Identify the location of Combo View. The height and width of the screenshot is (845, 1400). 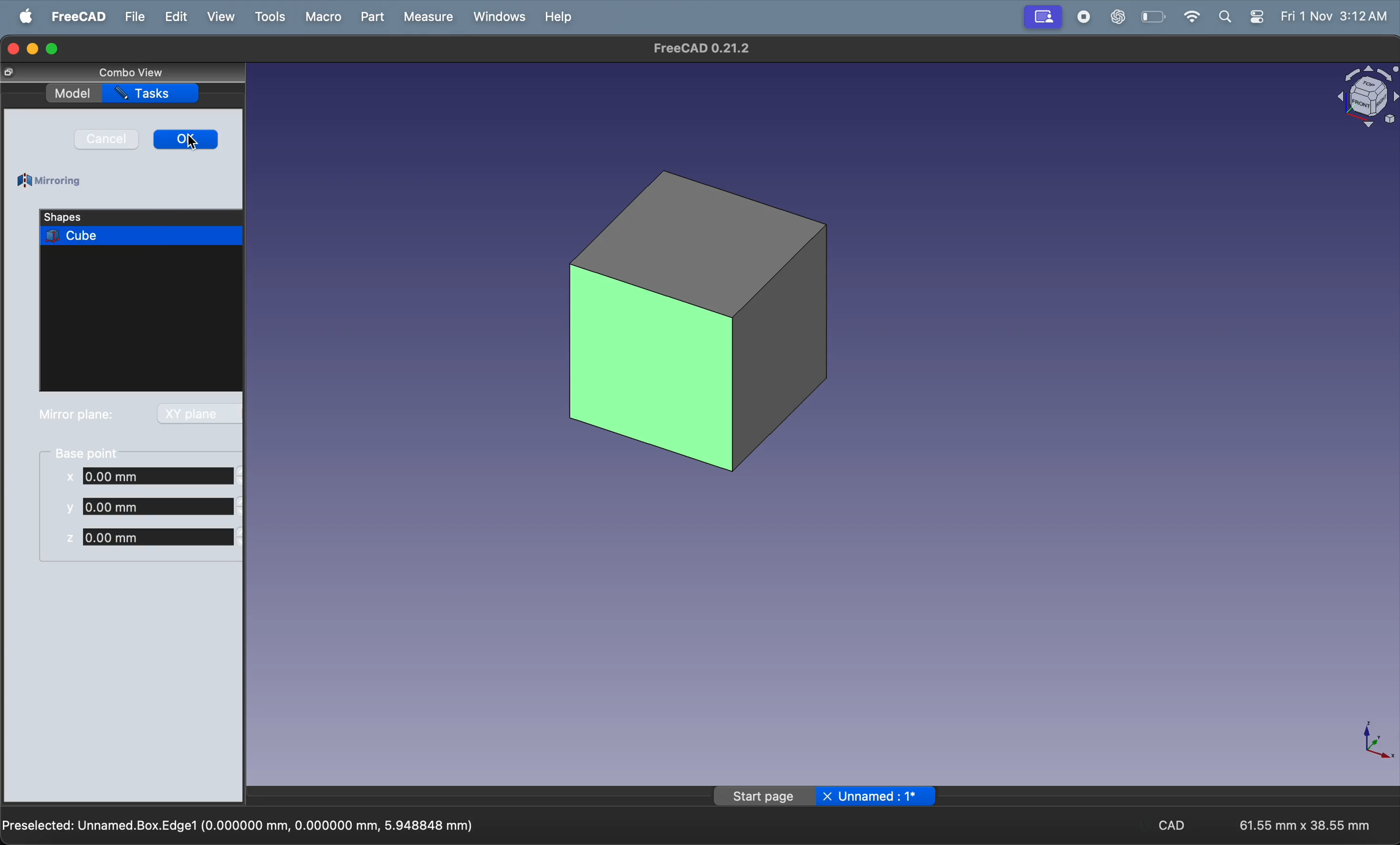
(131, 72).